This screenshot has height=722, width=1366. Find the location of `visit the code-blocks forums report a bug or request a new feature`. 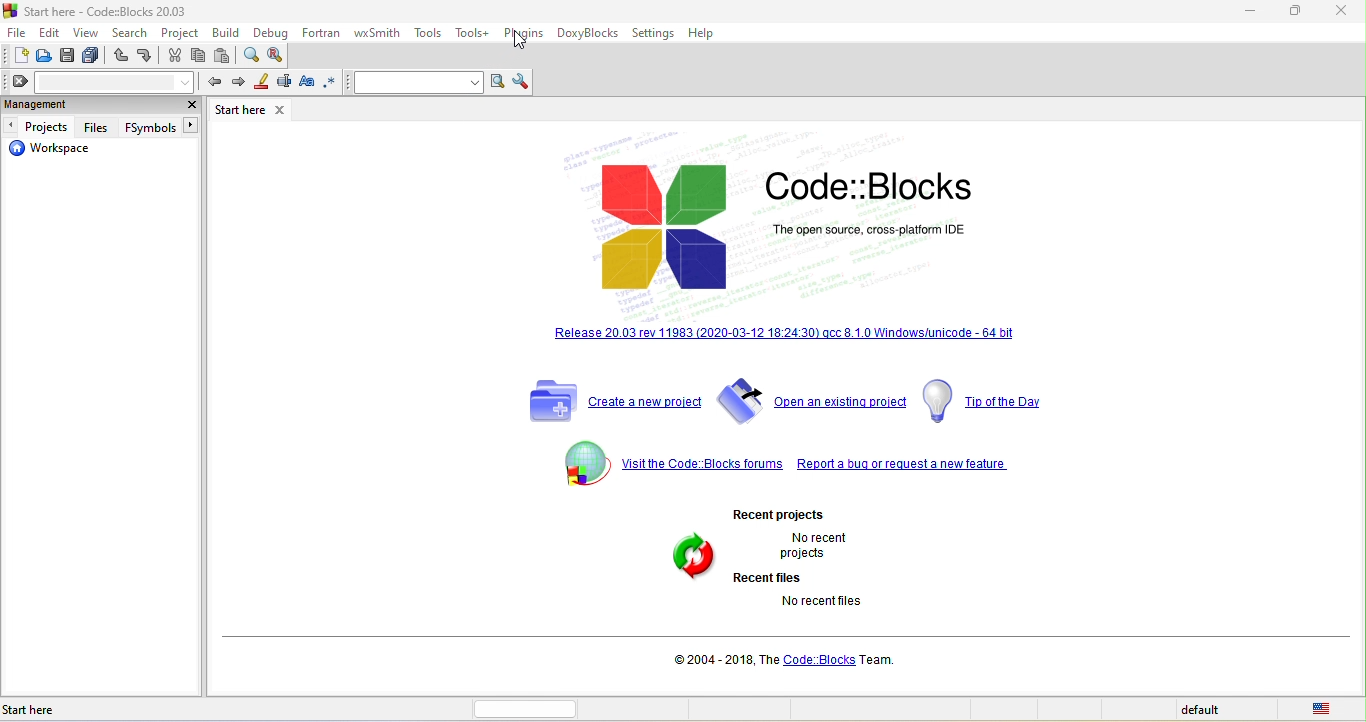

visit the code-blocks forums report a bug or request a new feature is located at coordinates (796, 467).